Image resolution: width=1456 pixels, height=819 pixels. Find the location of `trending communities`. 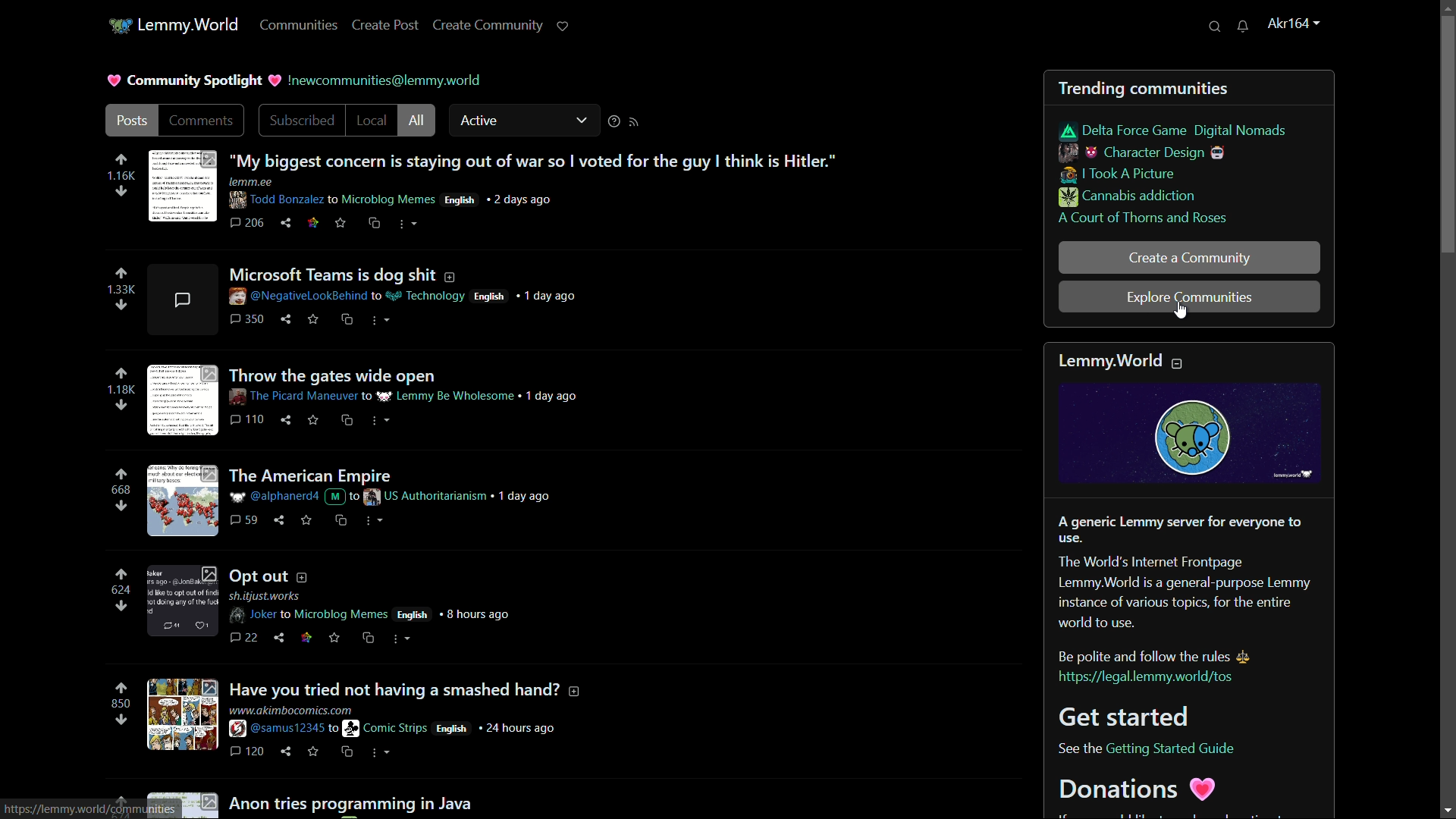

trending communities is located at coordinates (1147, 88).